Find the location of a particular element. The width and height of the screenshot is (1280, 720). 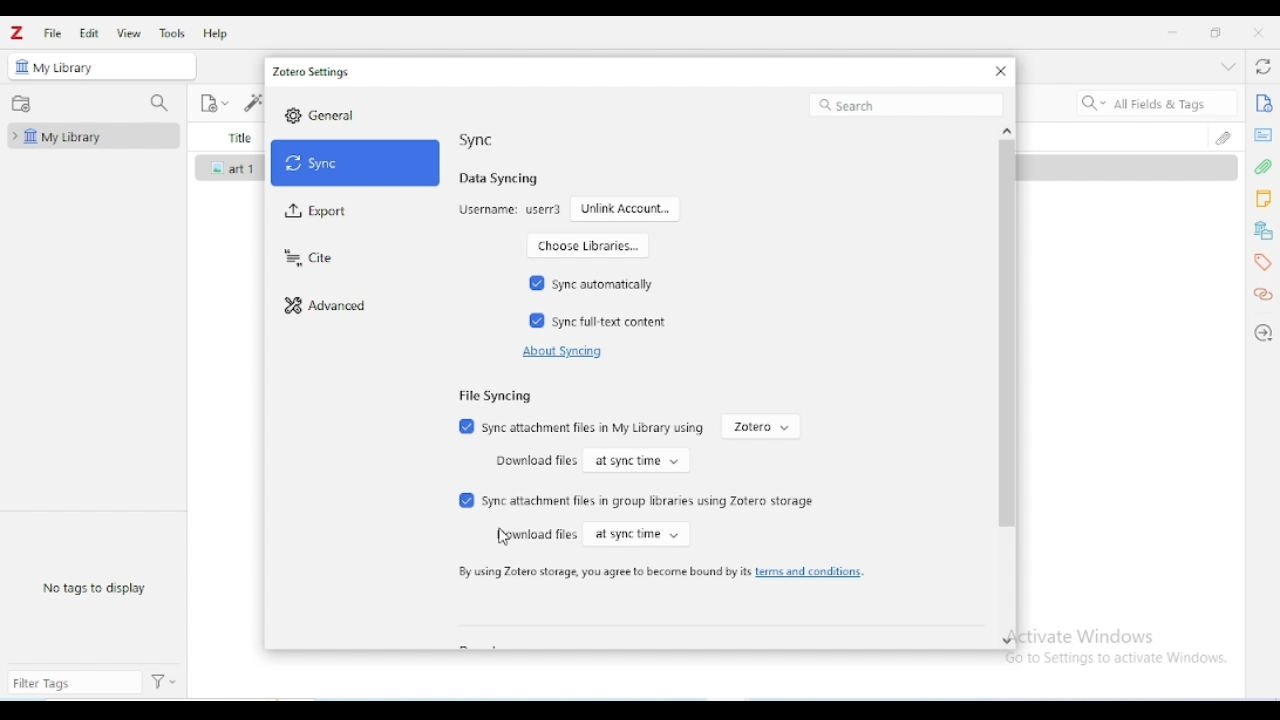

close is located at coordinates (1259, 32).